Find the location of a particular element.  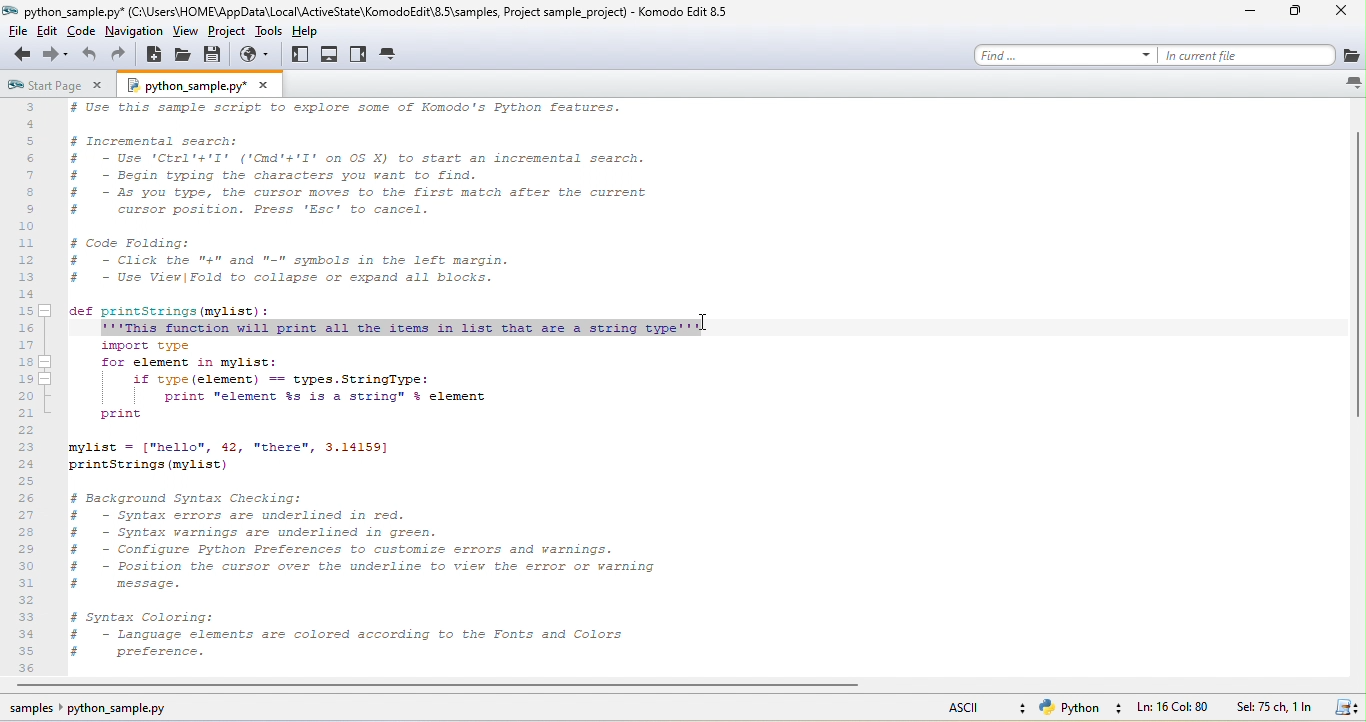

horizontal scroll bar is located at coordinates (433, 686).